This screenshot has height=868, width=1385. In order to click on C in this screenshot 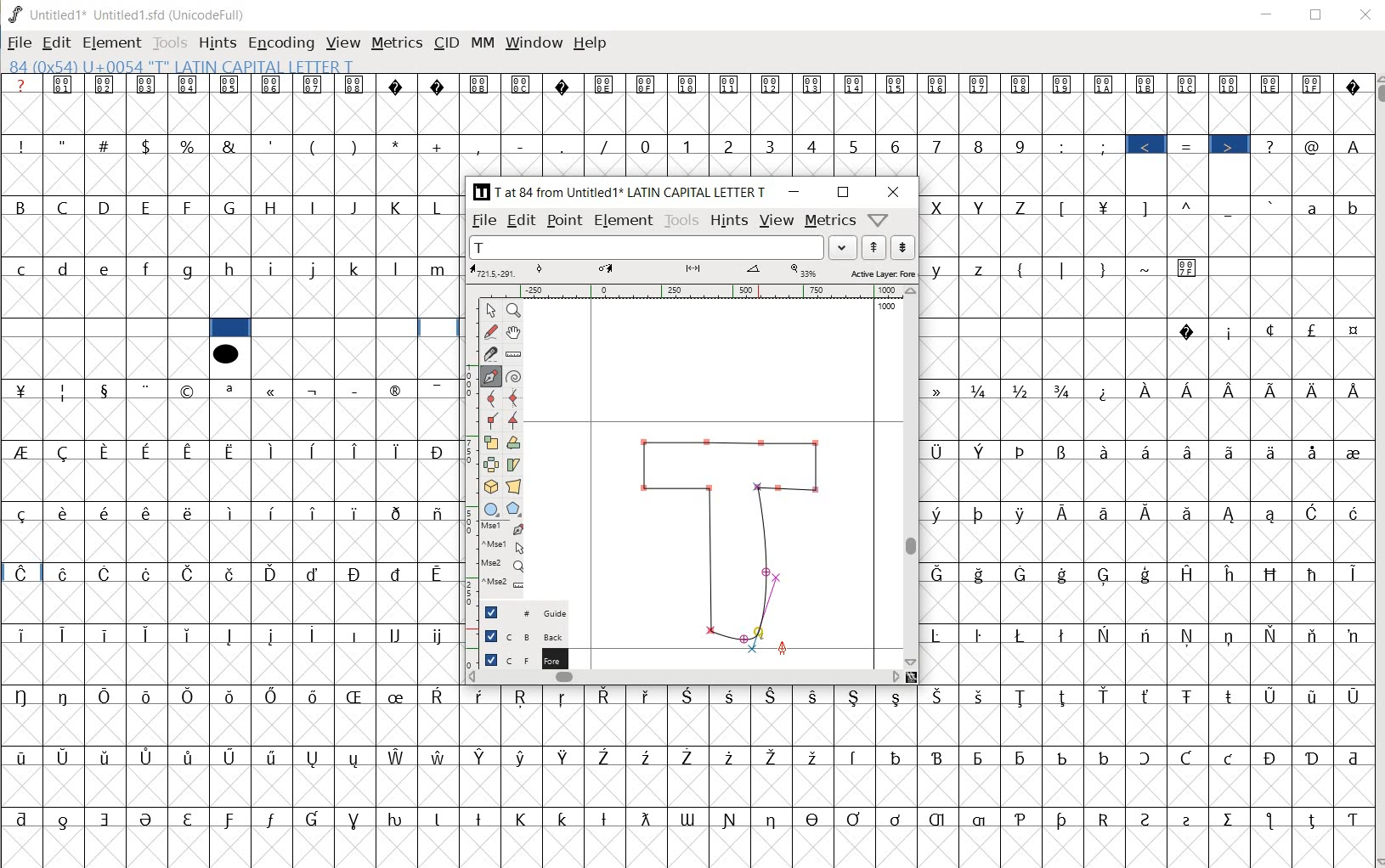, I will do `click(66, 206)`.